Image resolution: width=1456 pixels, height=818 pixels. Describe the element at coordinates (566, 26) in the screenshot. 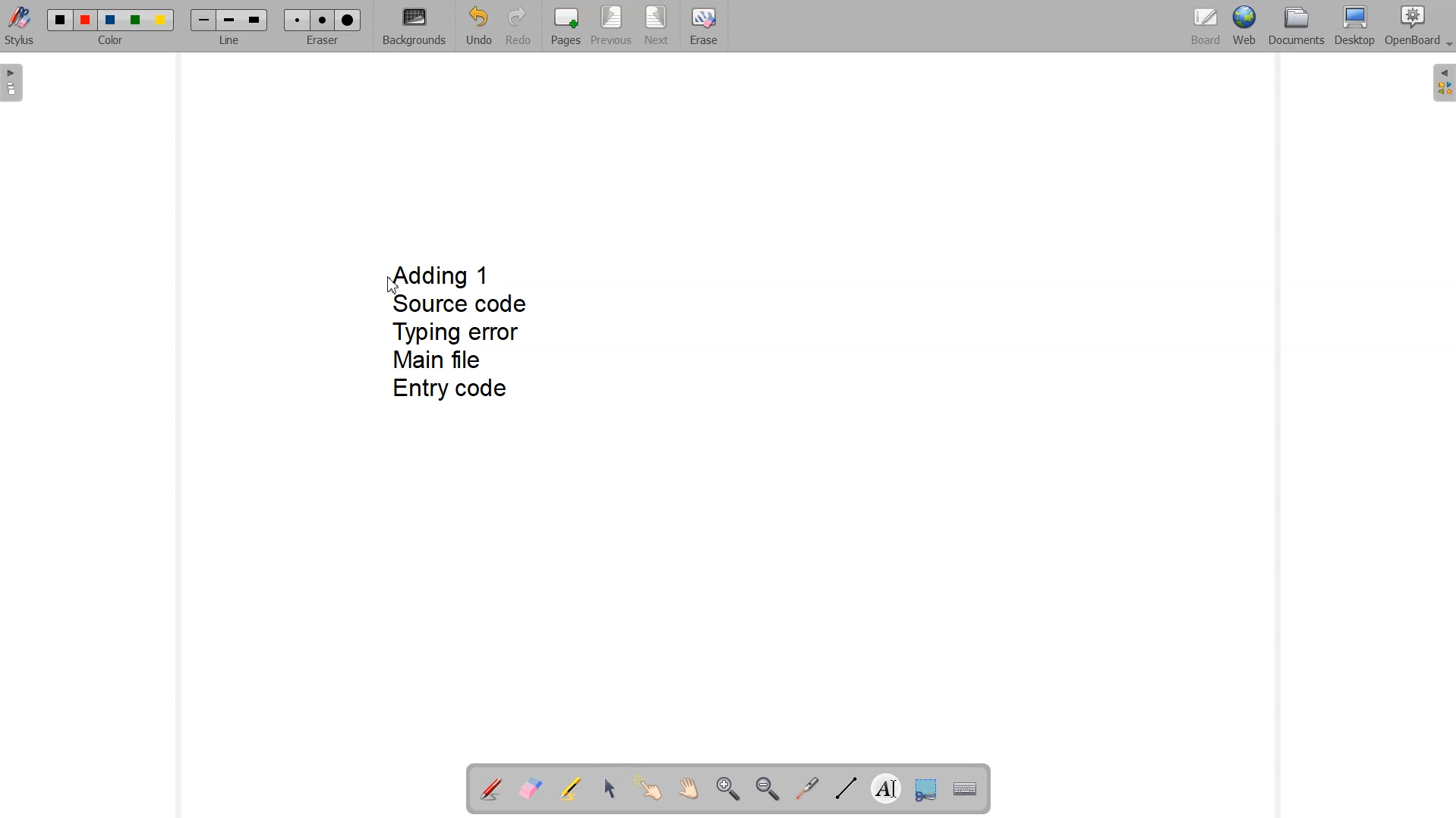

I see `Pages` at that location.